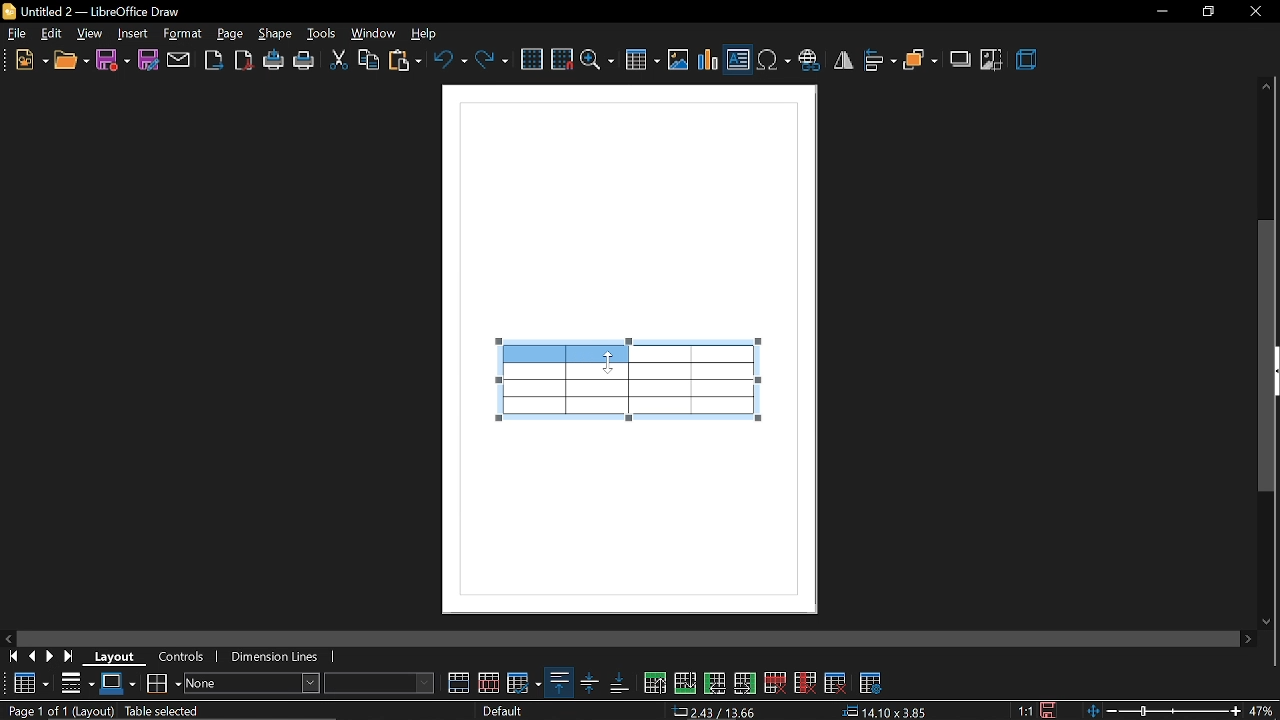  Describe the element at coordinates (89, 33) in the screenshot. I see `view` at that location.